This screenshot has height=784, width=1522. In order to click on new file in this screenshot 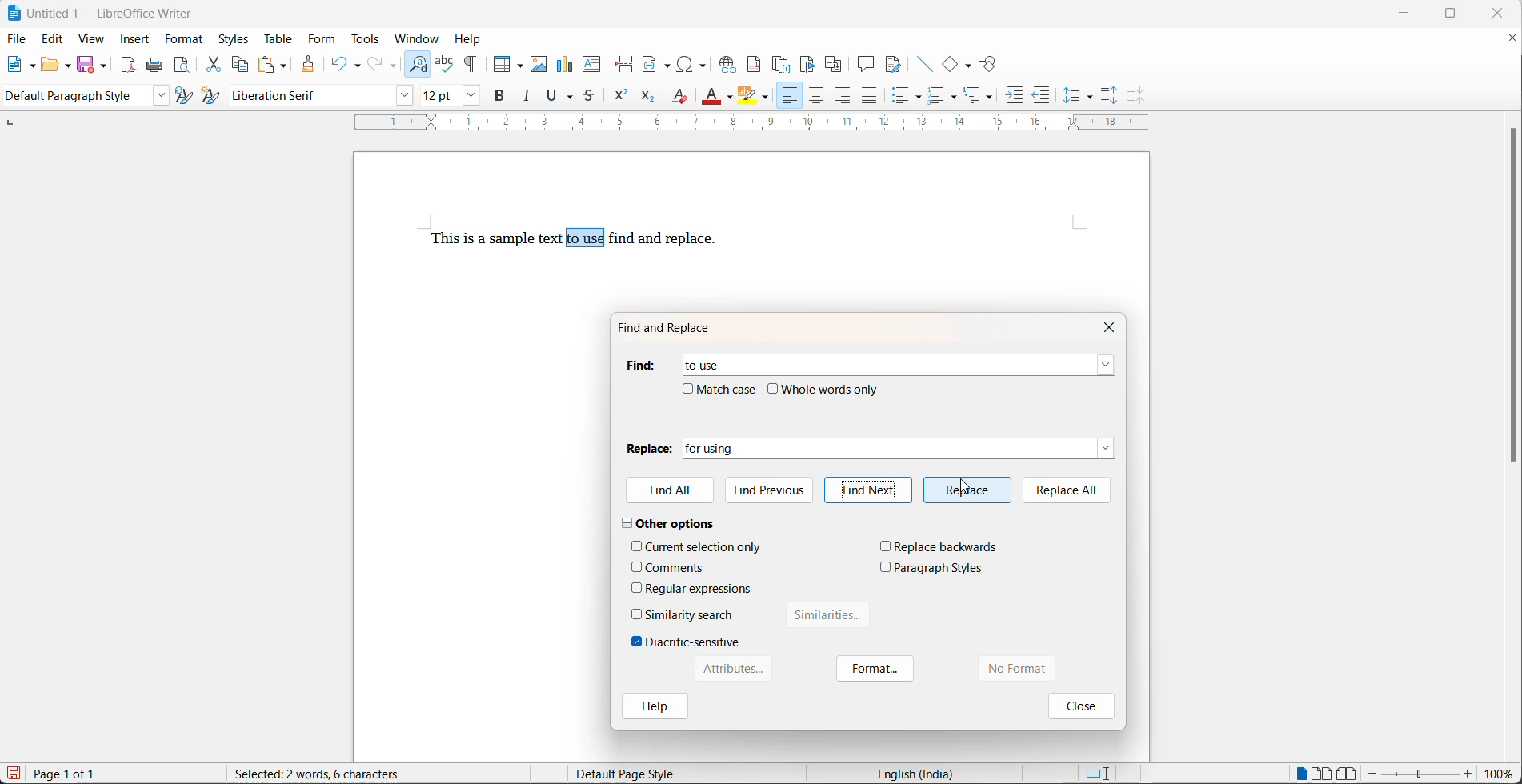, I will do `click(17, 68)`.